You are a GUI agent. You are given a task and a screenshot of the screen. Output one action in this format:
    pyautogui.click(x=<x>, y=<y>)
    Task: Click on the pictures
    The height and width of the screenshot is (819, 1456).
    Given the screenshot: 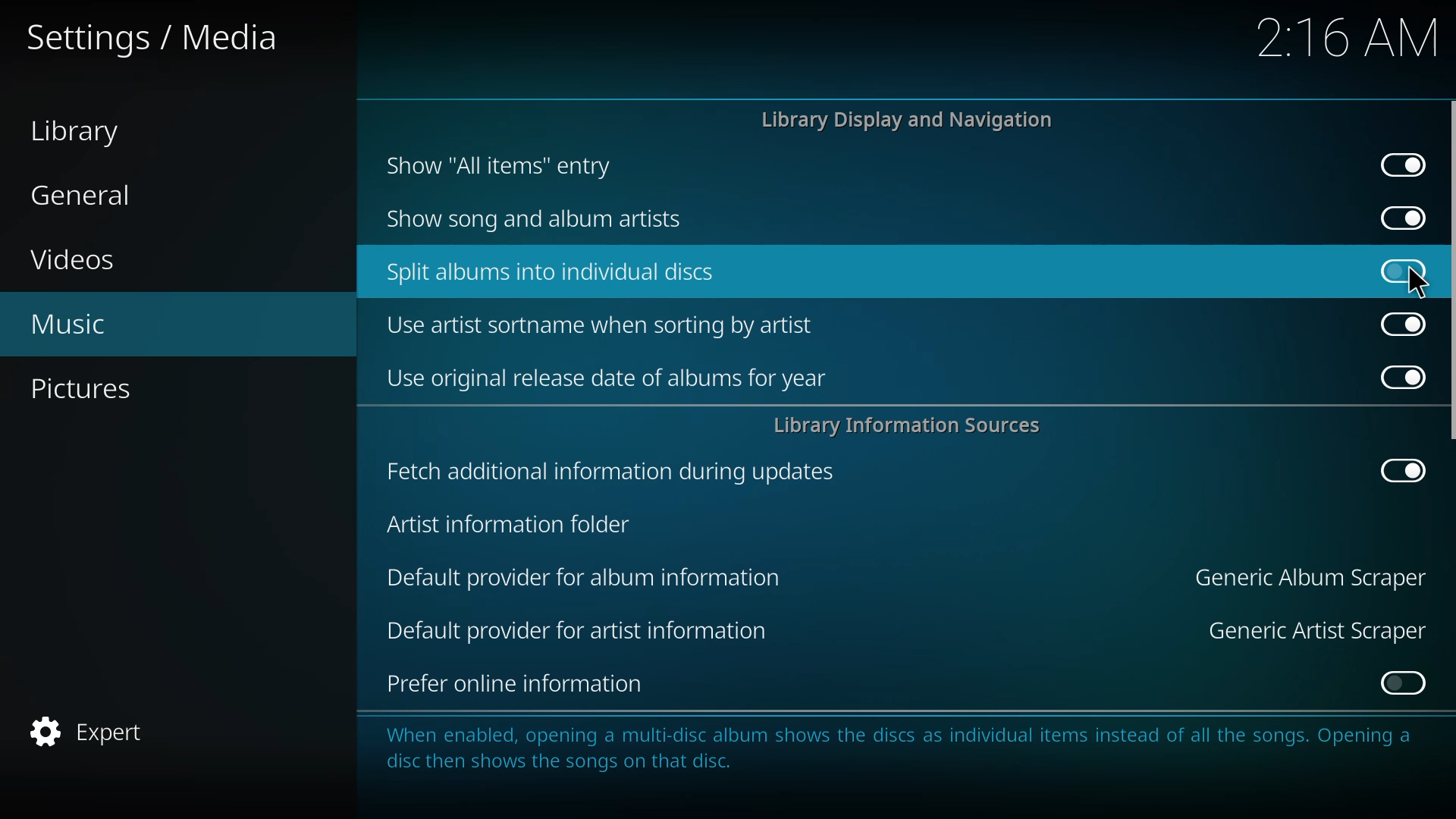 What is the action you would take?
    pyautogui.click(x=86, y=390)
    